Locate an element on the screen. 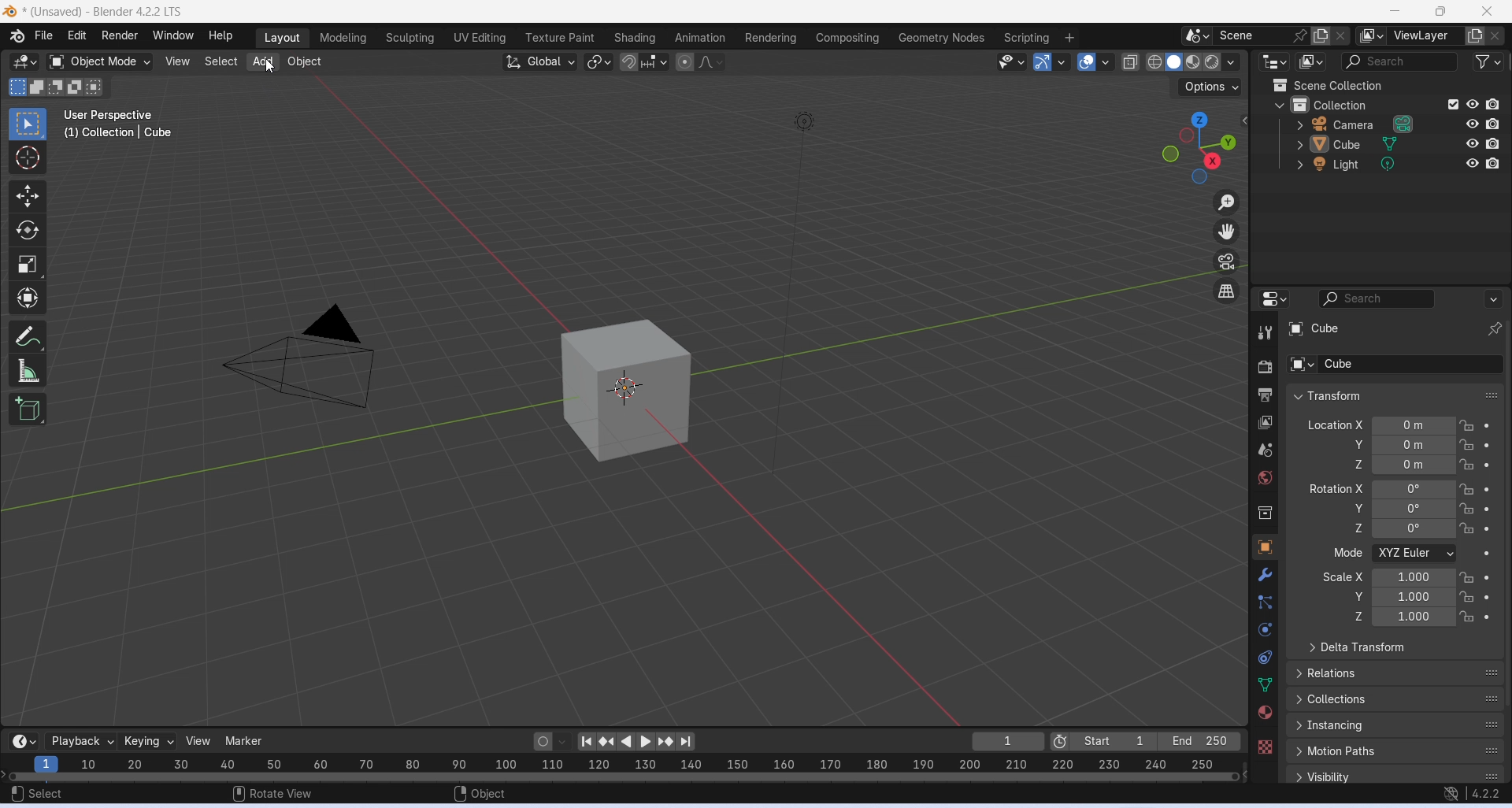 The image size is (1512, 808). euler rotation is located at coordinates (1414, 528).